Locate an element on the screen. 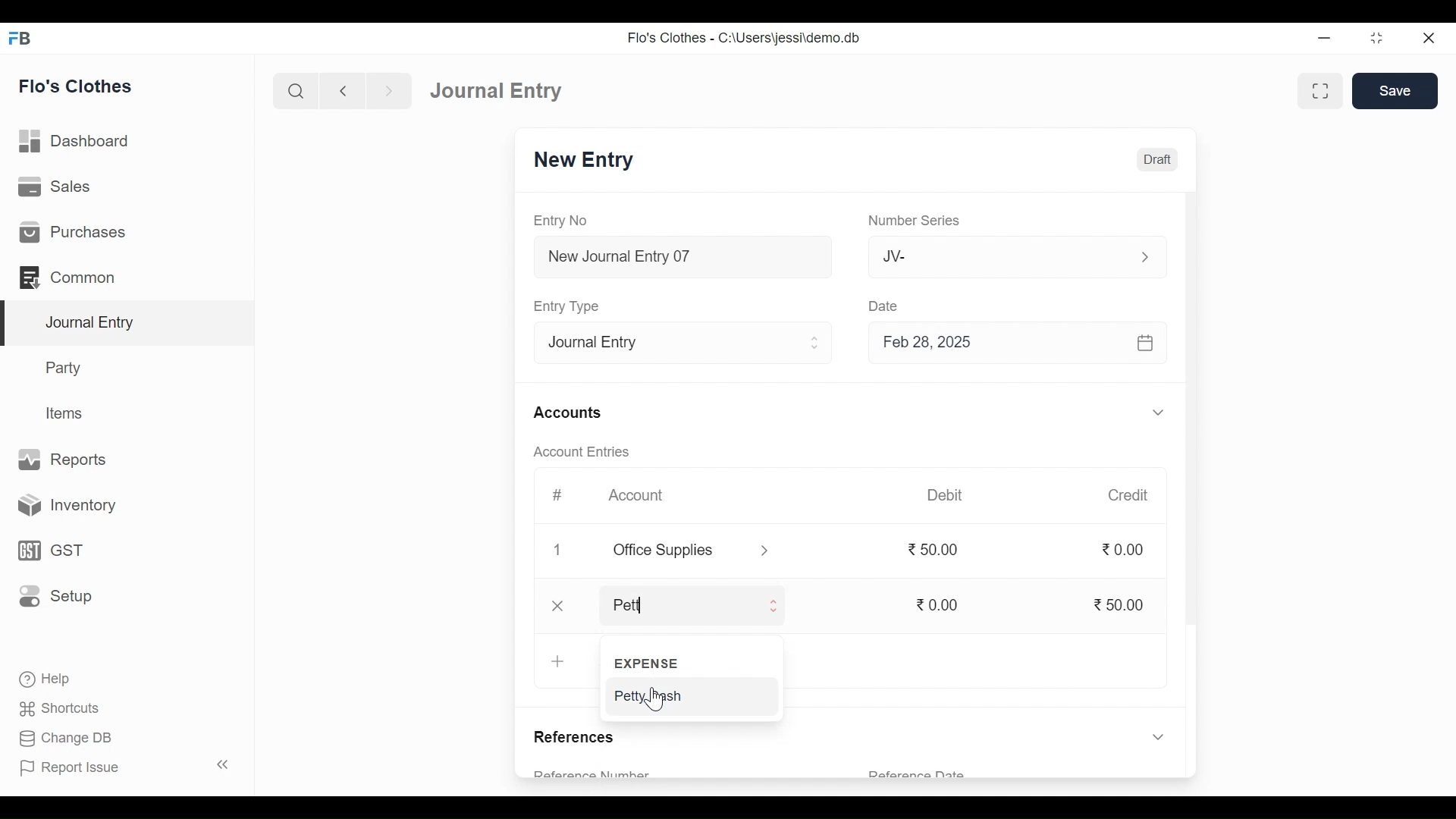  Help is located at coordinates (43, 677).